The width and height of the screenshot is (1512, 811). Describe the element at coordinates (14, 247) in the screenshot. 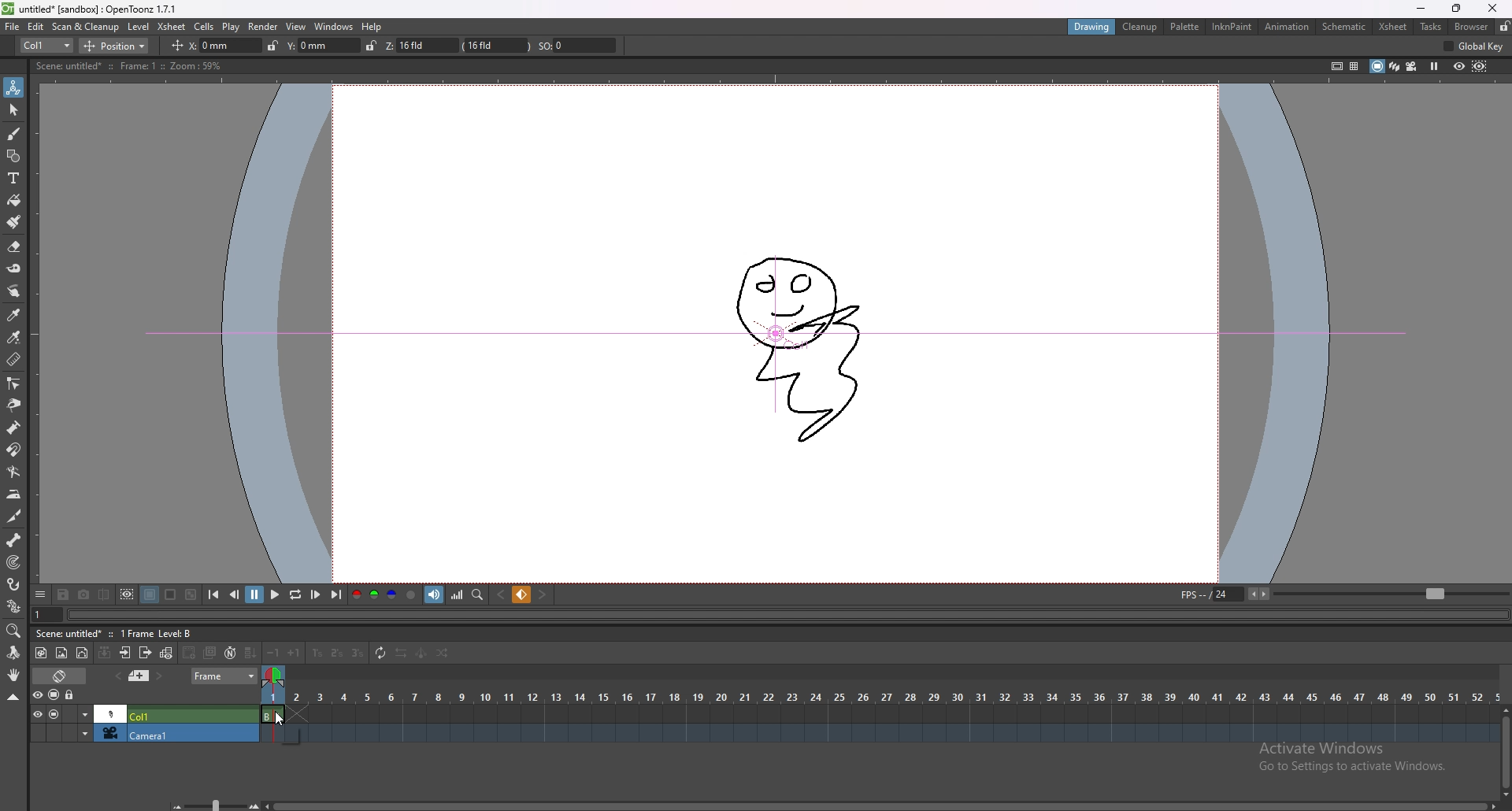

I see `erase` at that location.